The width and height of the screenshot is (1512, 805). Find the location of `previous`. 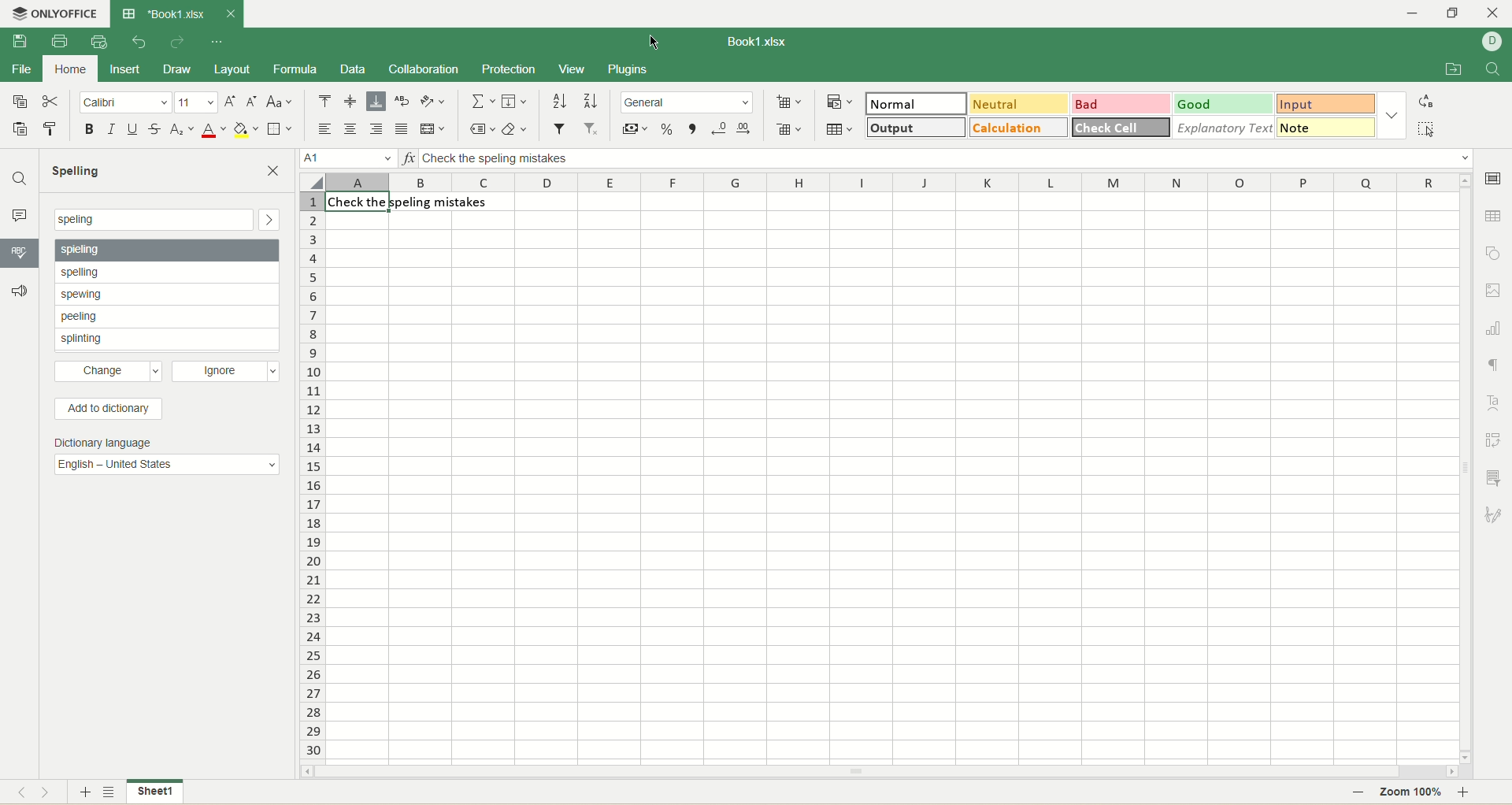

previous is located at coordinates (20, 794).